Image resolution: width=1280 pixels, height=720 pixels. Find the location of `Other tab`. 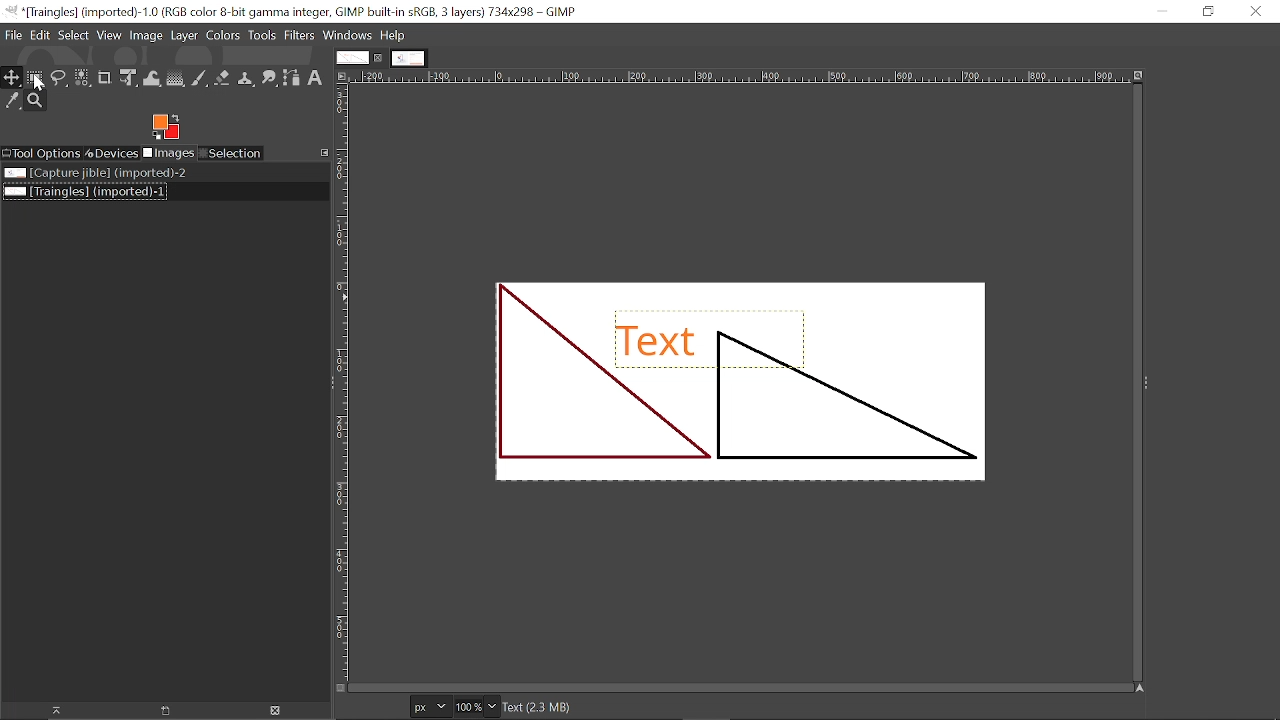

Other tab is located at coordinates (408, 58).